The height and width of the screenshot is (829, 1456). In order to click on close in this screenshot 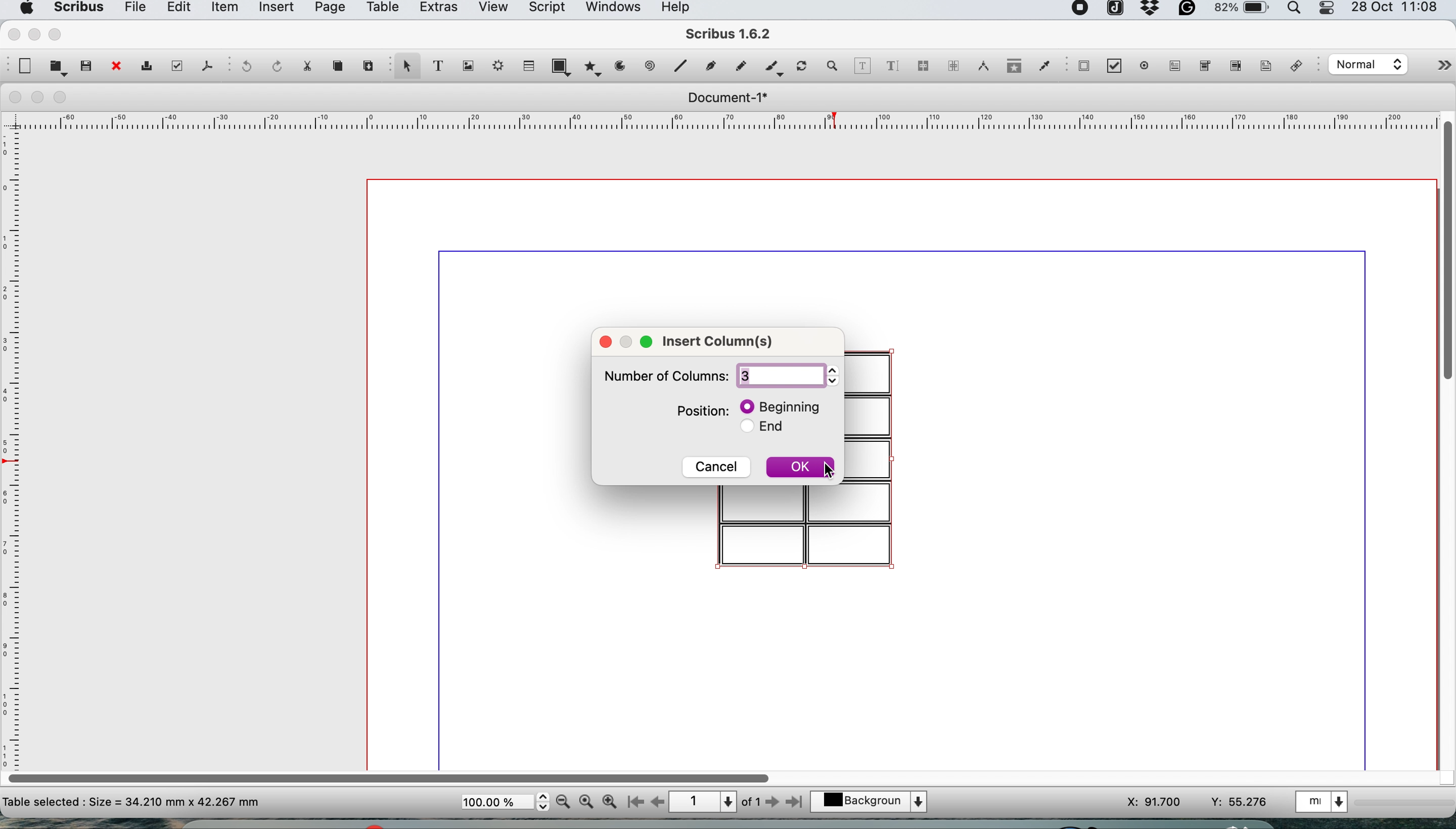, I will do `click(12, 33)`.